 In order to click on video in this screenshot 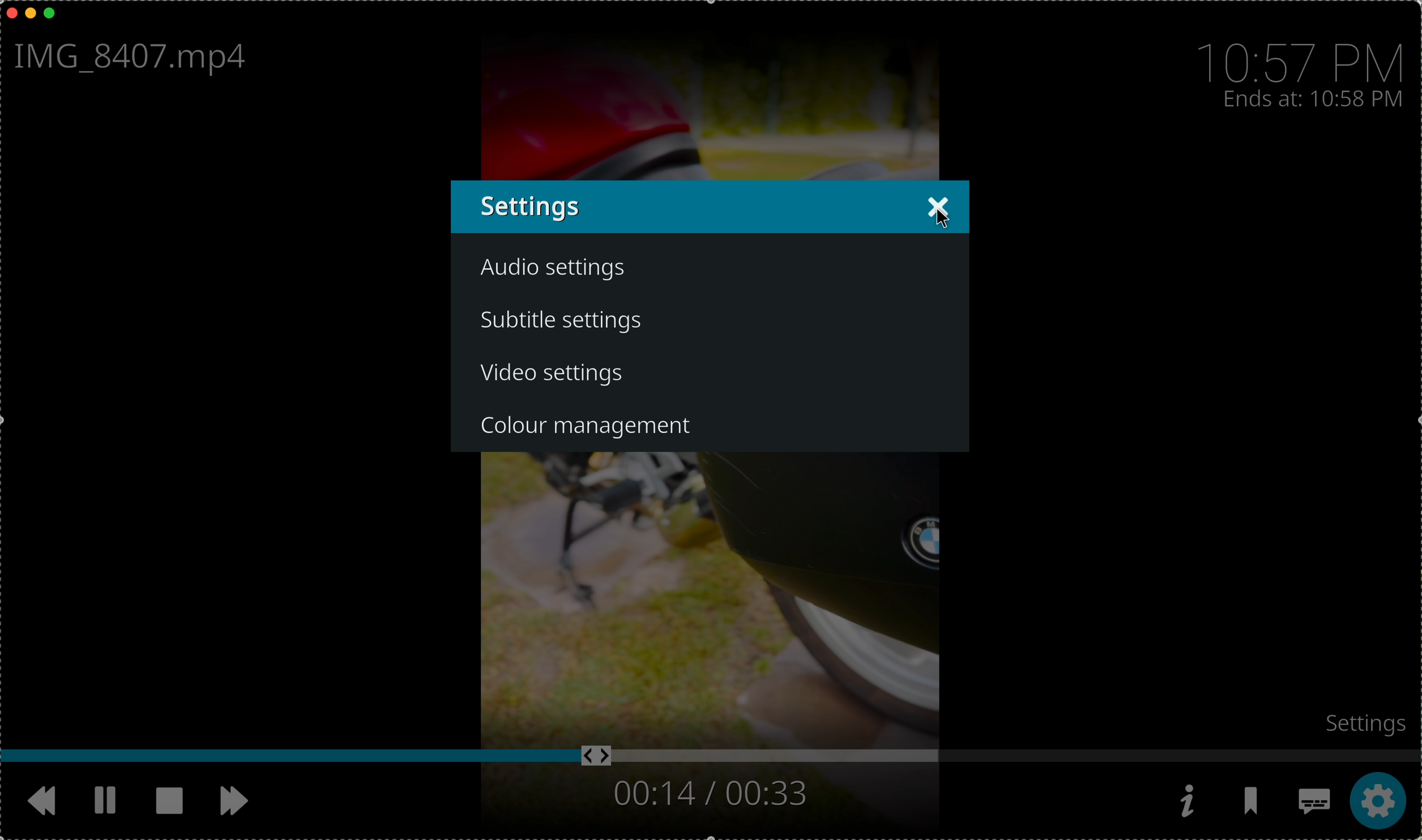, I will do `click(709, 595)`.